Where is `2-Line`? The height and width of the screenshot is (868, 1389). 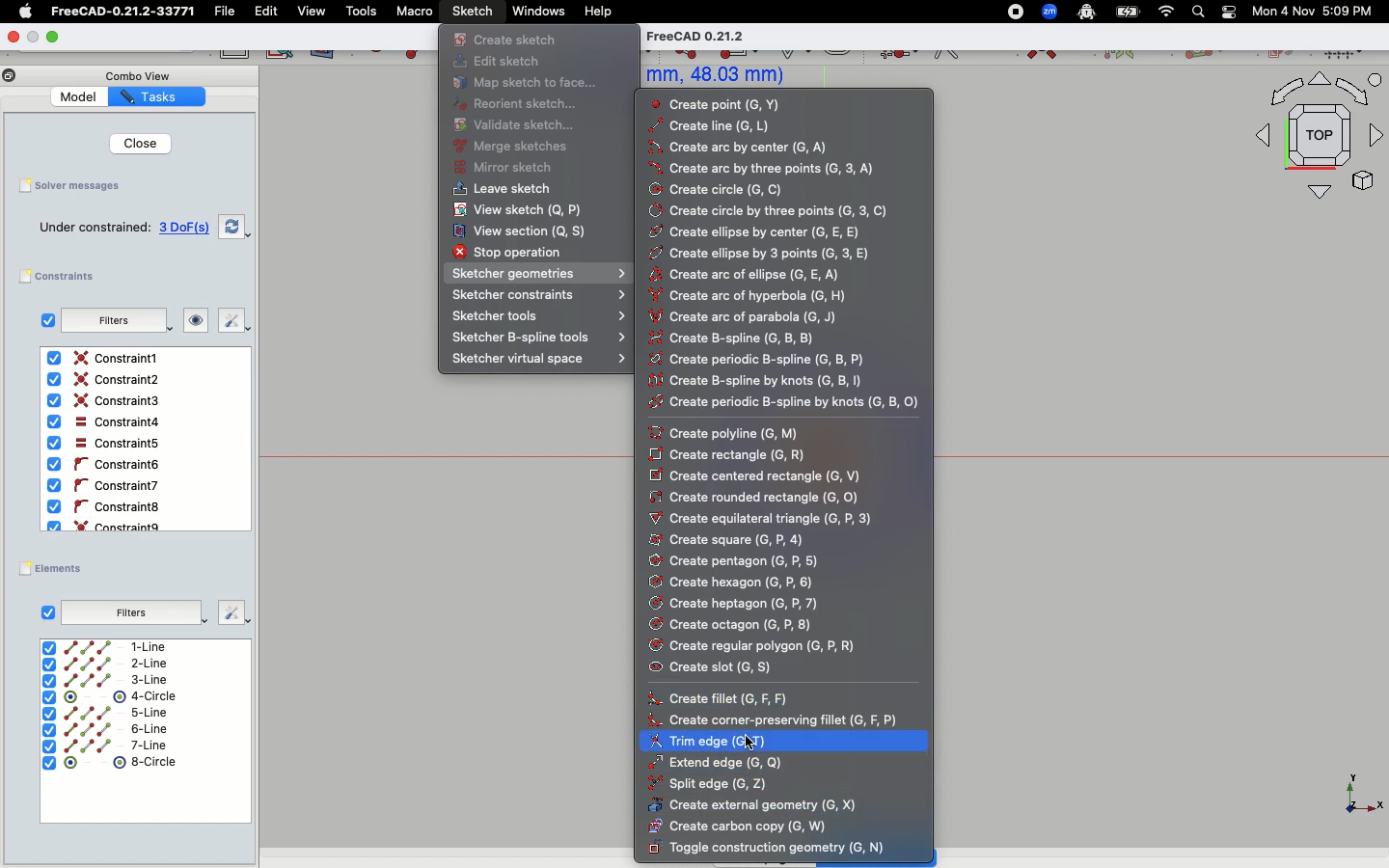
2-Line is located at coordinates (118, 664).